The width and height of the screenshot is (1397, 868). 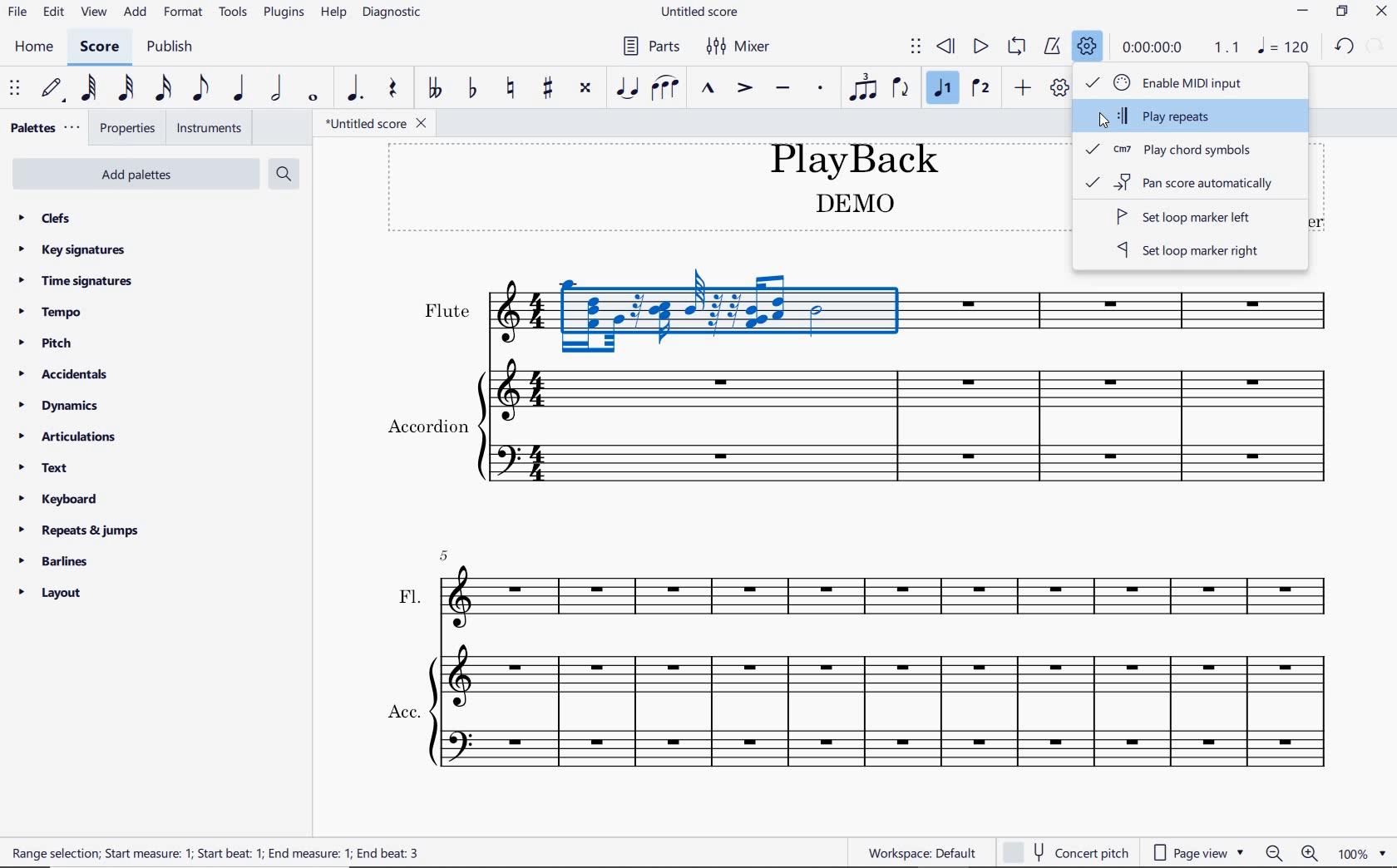 What do you see at coordinates (47, 467) in the screenshot?
I see `text` at bounding box center [47, 467].